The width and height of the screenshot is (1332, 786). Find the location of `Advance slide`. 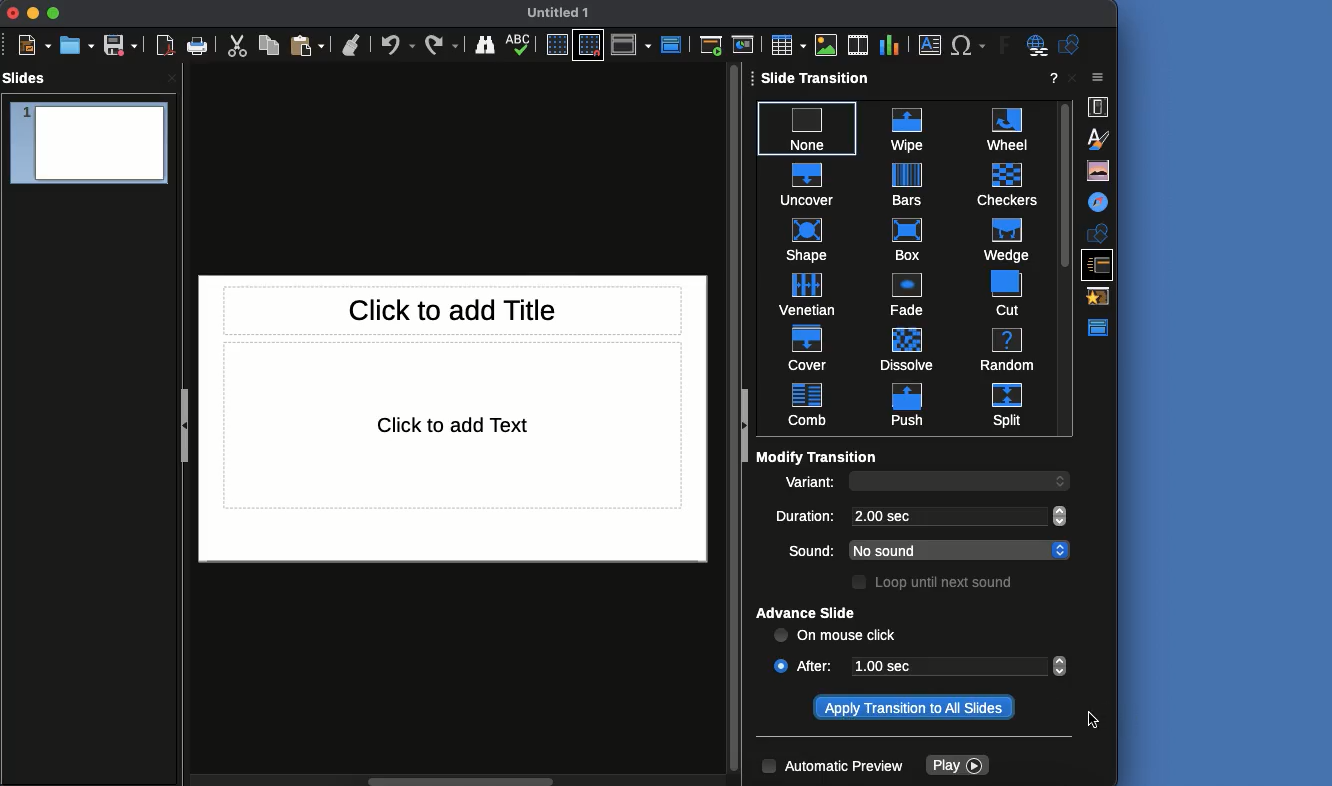

Advance slide is located at coordinates (809, 614).